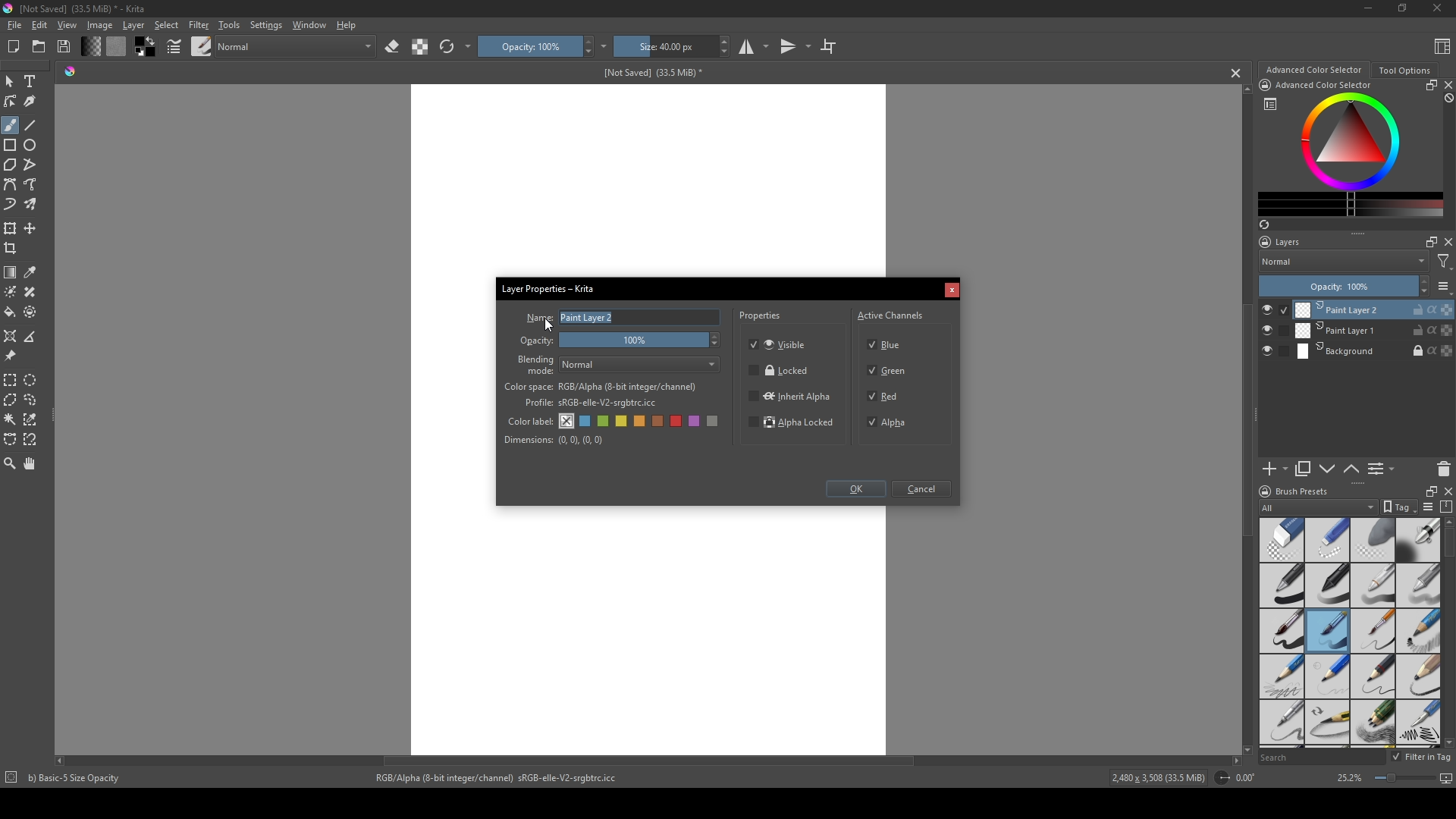 The image size is (1456, 819). Describe the element at coordinates (1369, 8) in the screenshot. I see `minimize` at that location.